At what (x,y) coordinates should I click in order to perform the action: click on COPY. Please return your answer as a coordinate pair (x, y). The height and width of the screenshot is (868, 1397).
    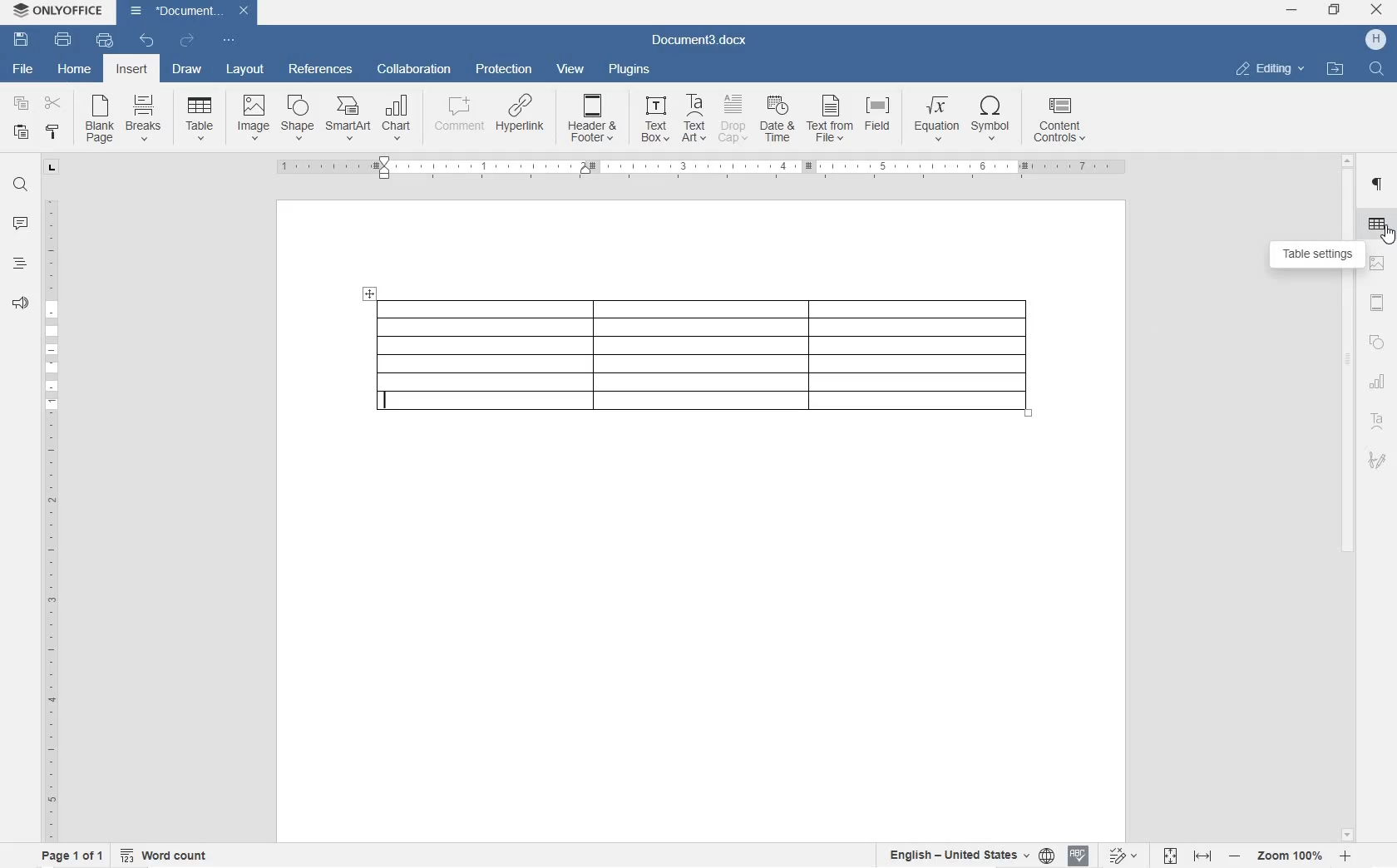
    Looking at the image, I should click on (22, 102).